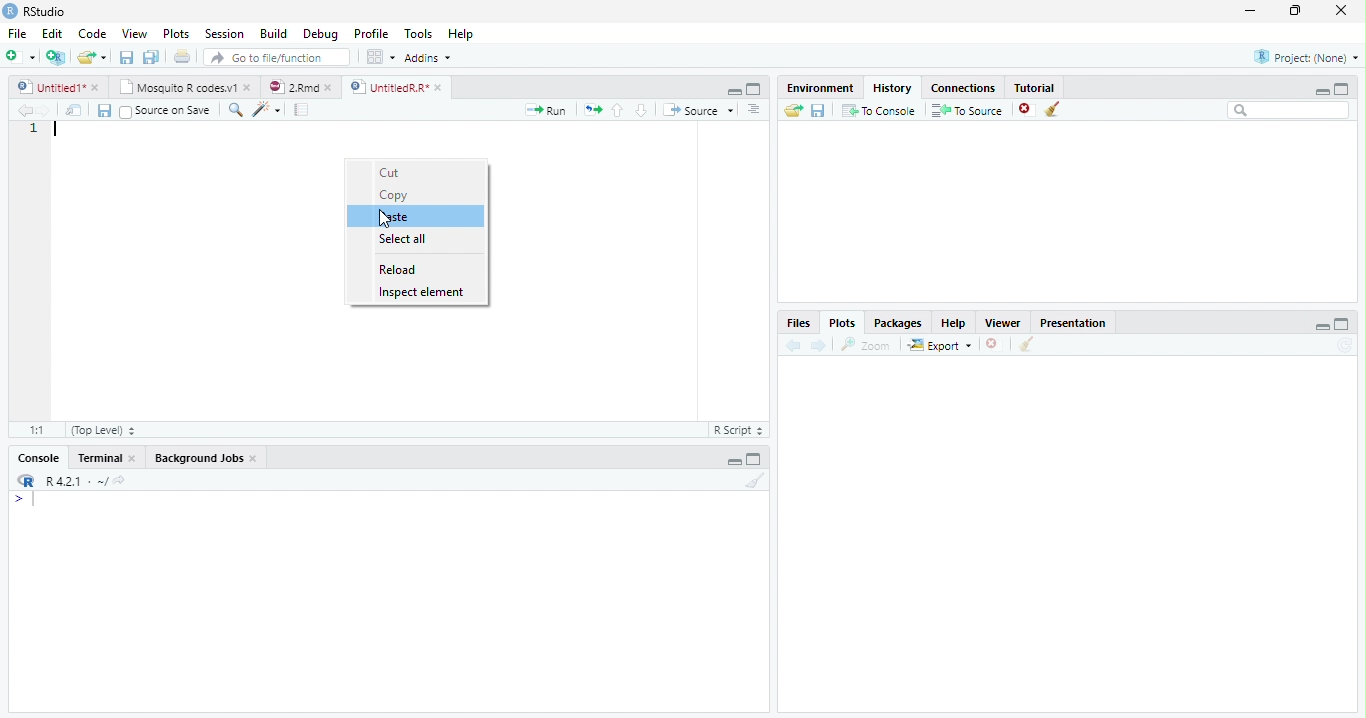 This screenshot has height=718, width=1366. I want to click on Minimize, so click(1252, 10).